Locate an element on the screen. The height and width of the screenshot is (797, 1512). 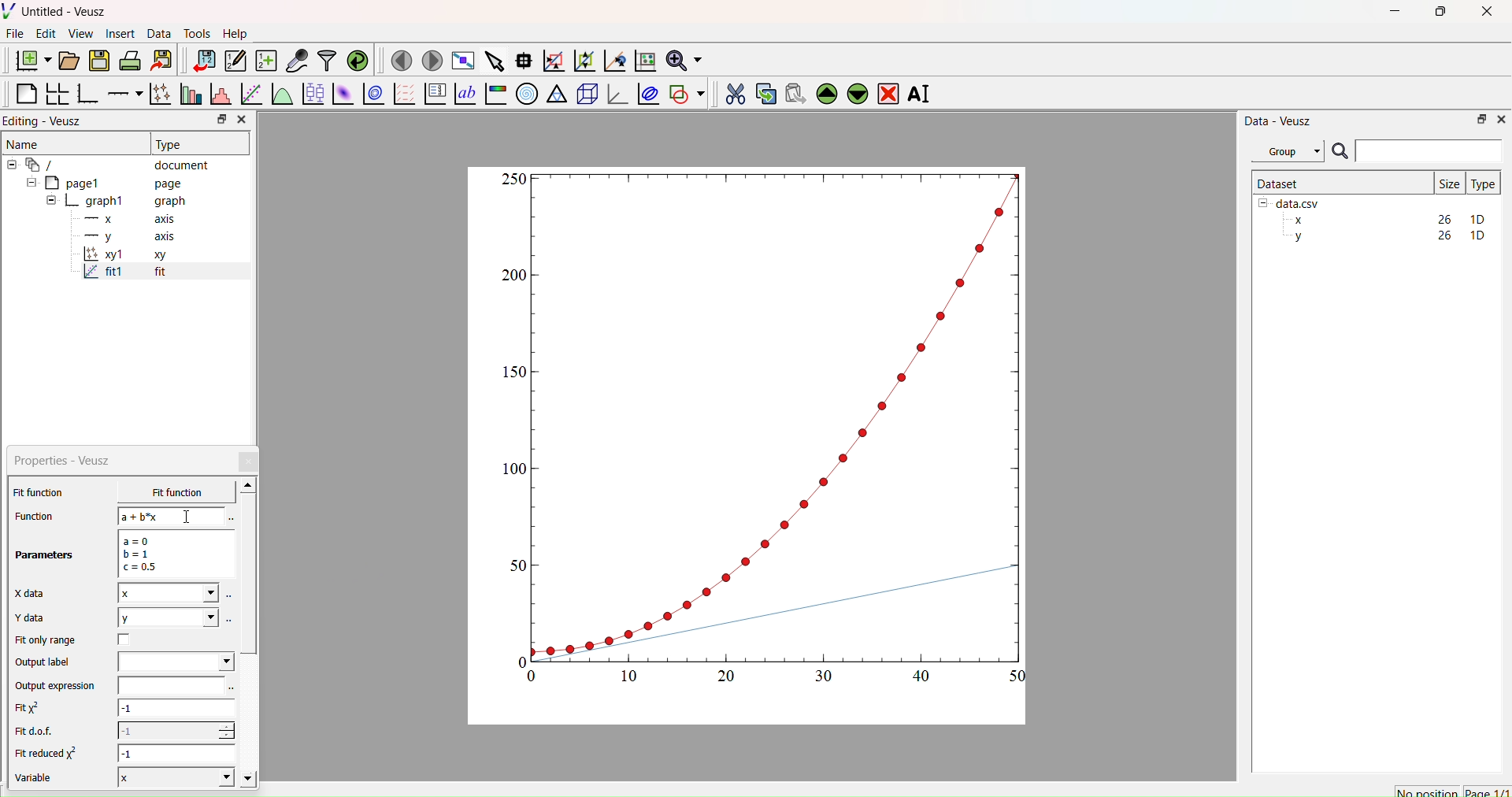
Dropdown is located at coordinates (176, 662).